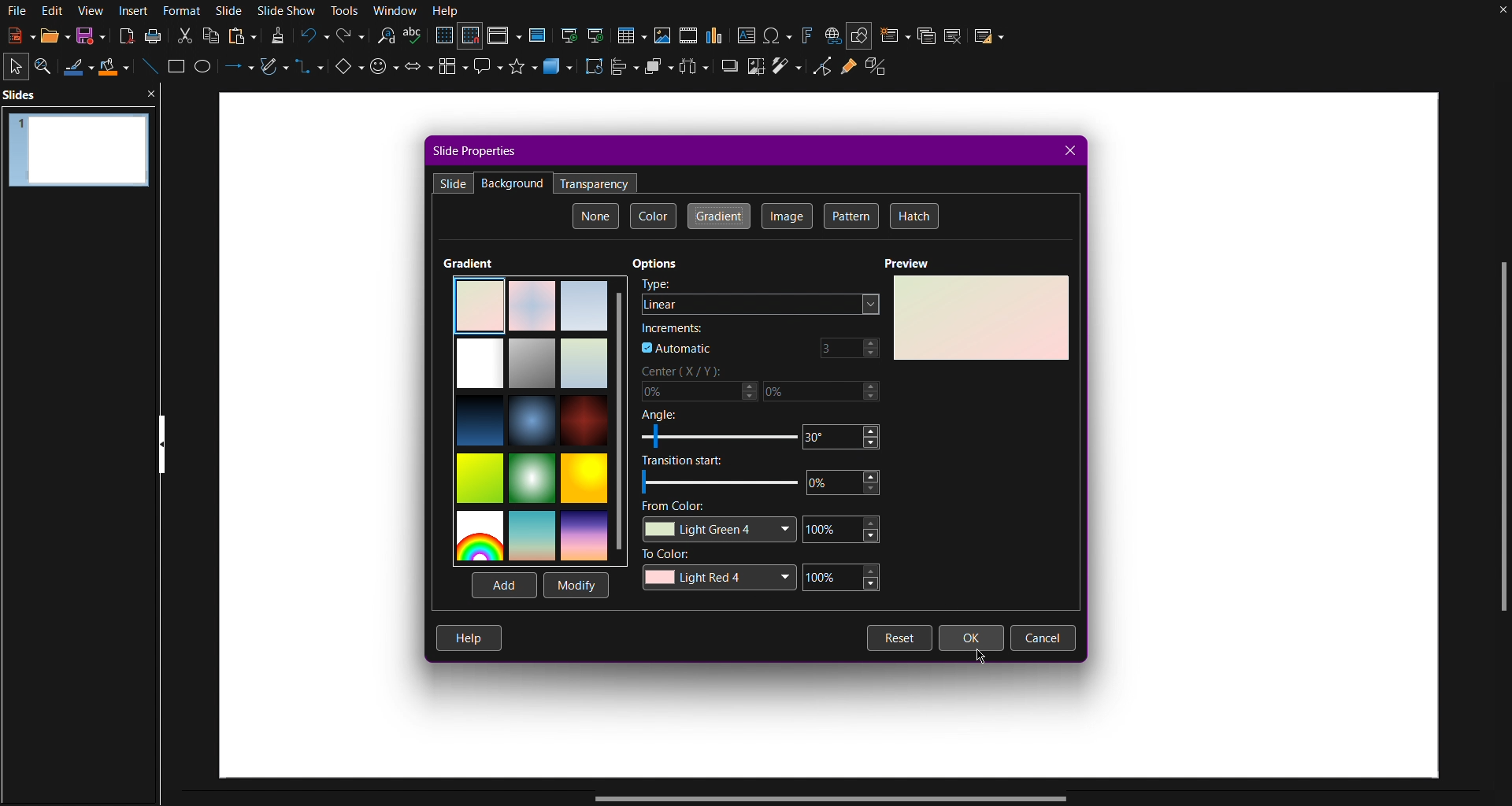  I want to click on Slide 1, so click(76, 147).